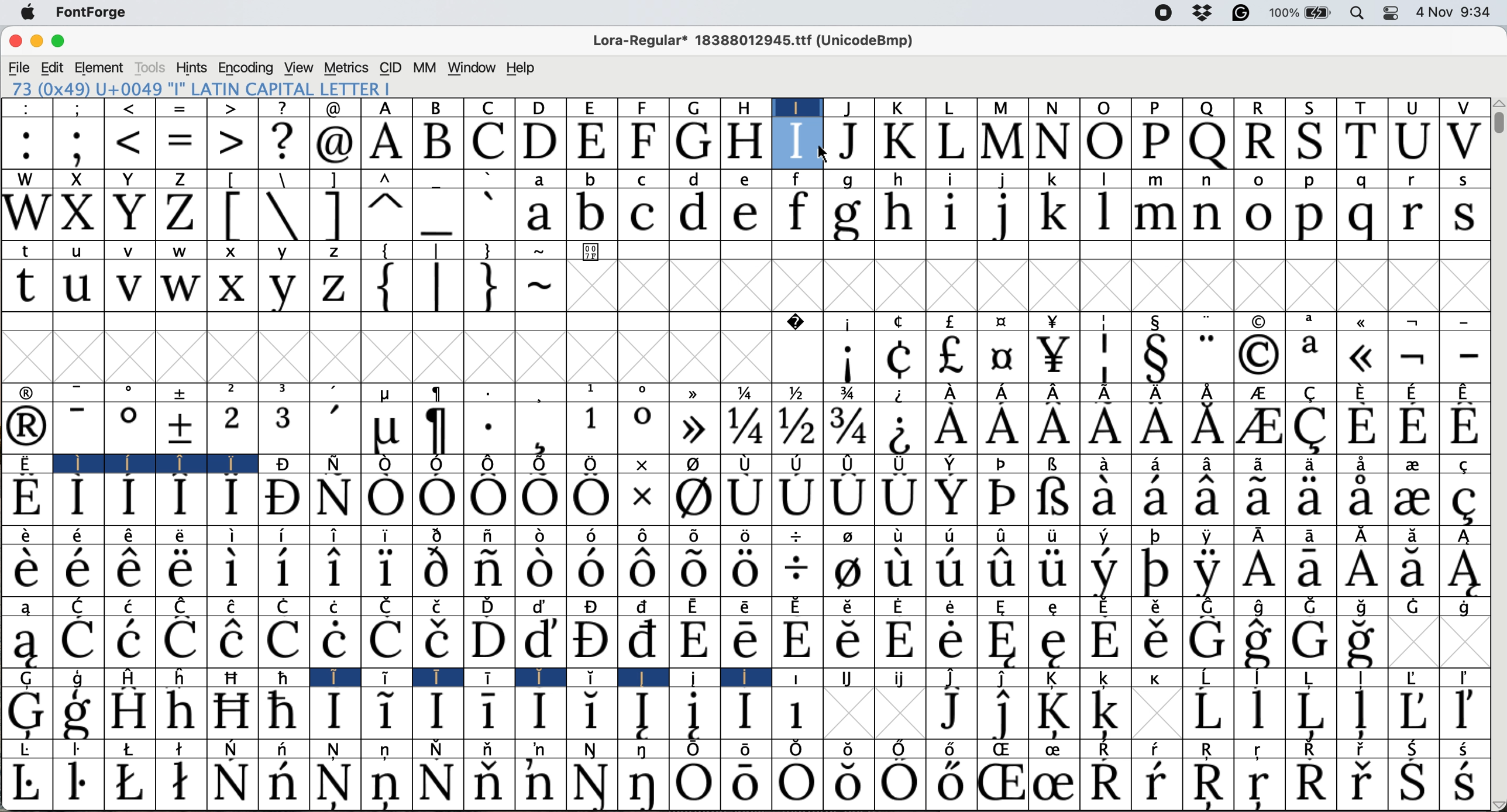 This screenshot has width=1507, height=812. I want to click on Symbol, so click(1212, 749).